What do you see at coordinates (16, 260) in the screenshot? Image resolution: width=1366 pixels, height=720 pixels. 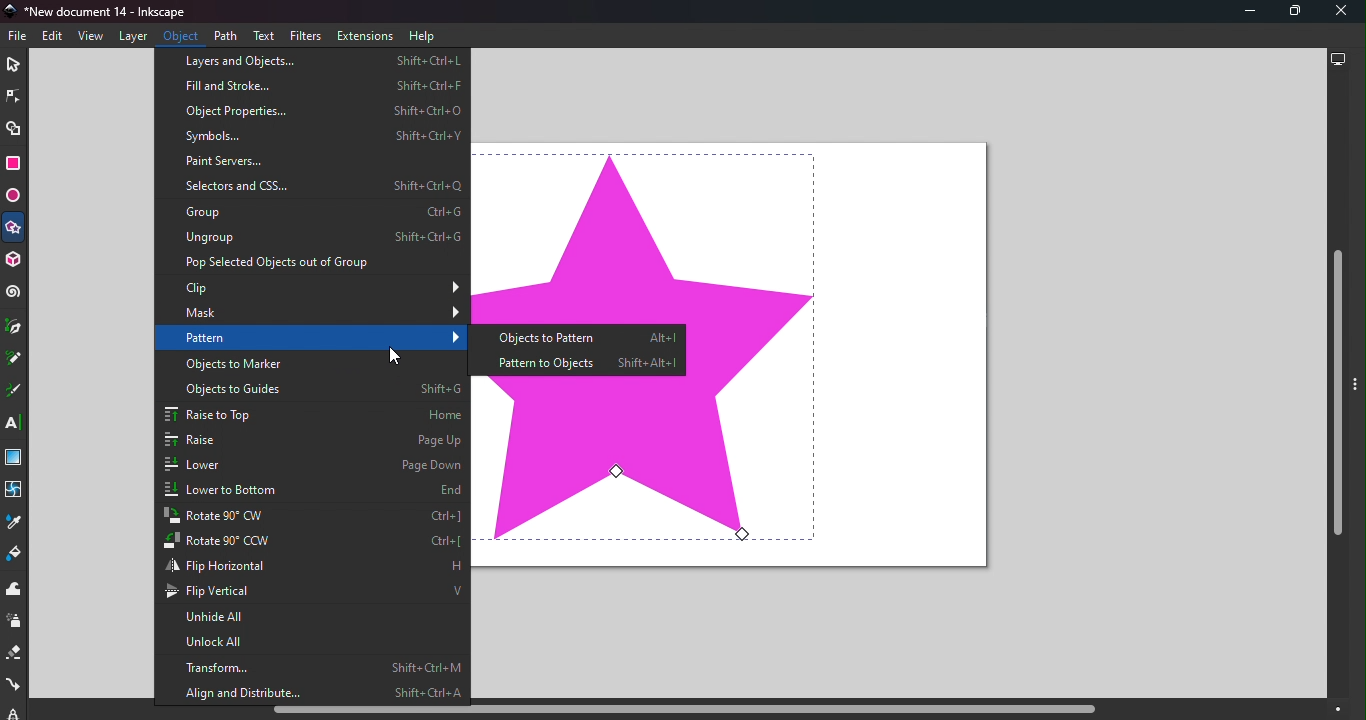 I see `3D box tool` at bounding box center [16, 260].